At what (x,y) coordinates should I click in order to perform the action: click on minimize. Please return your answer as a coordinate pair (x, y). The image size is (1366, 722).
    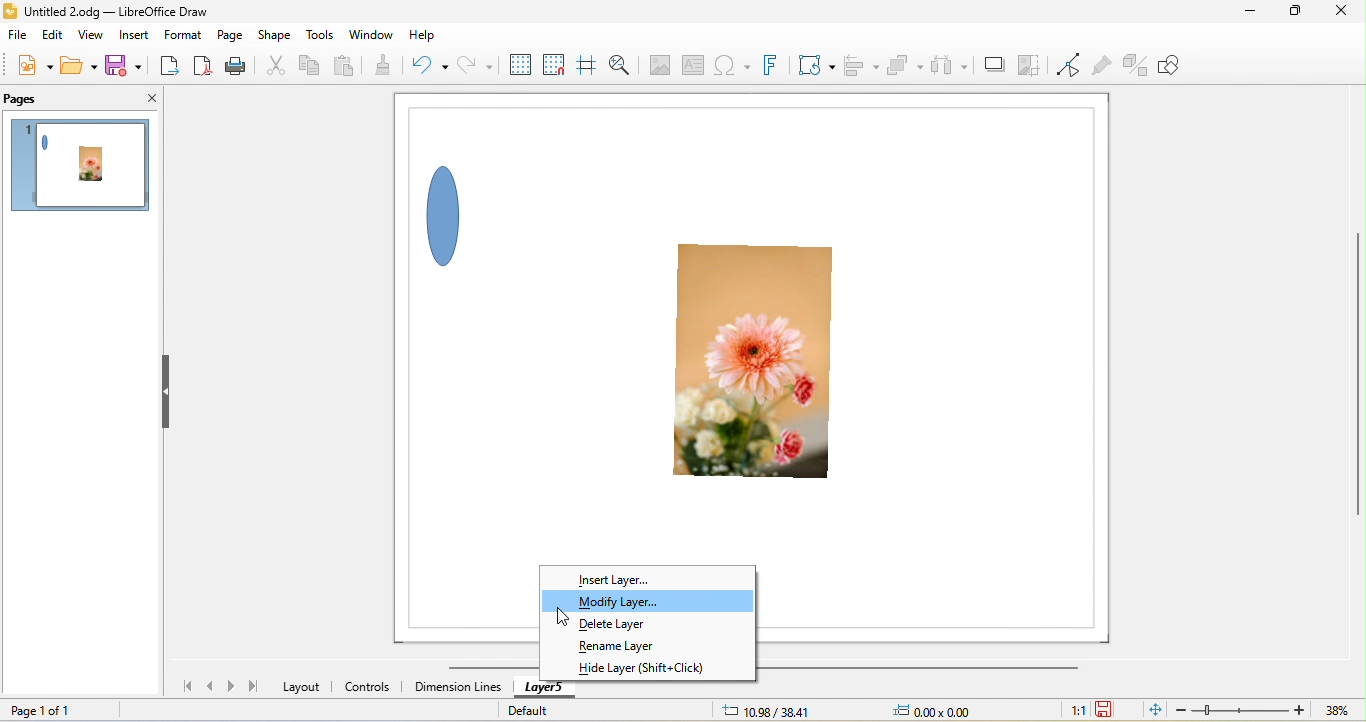
    Looking at the image, I should click on (1252, 13).